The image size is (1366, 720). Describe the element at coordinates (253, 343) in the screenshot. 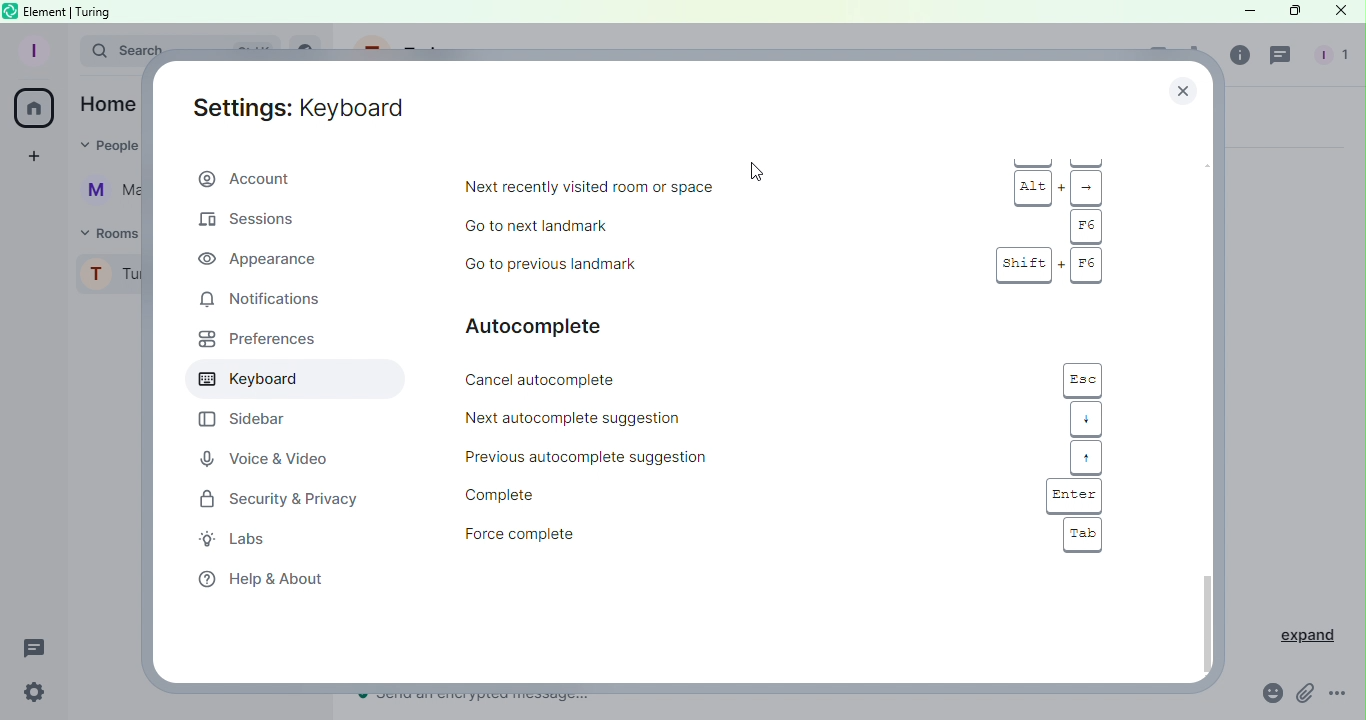

I see `Preferences` at that location.